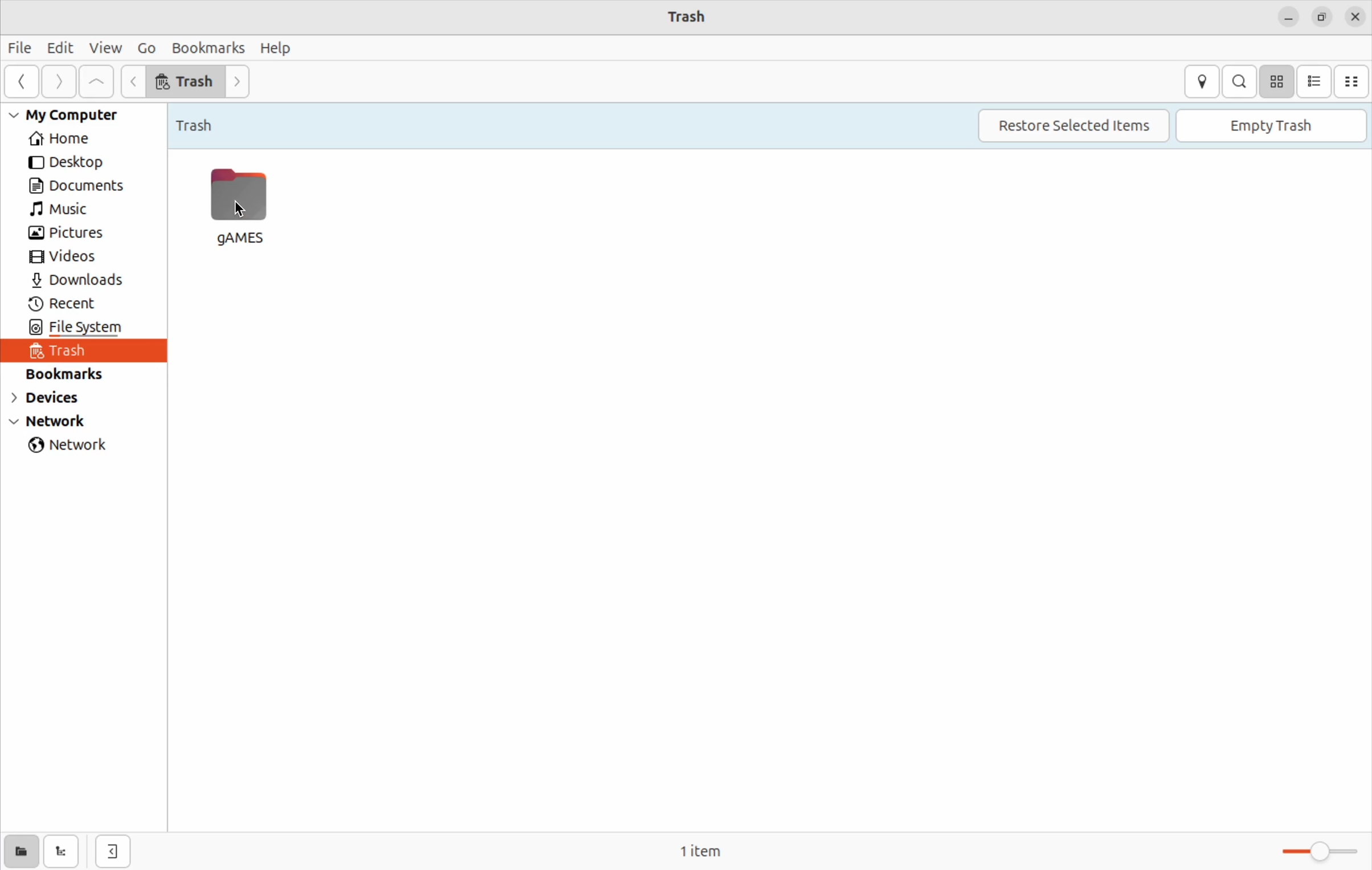 The image size is (1372, 870). Describe the element at coordinates (74, 352) in the screenshot. I see `trash` at that location.